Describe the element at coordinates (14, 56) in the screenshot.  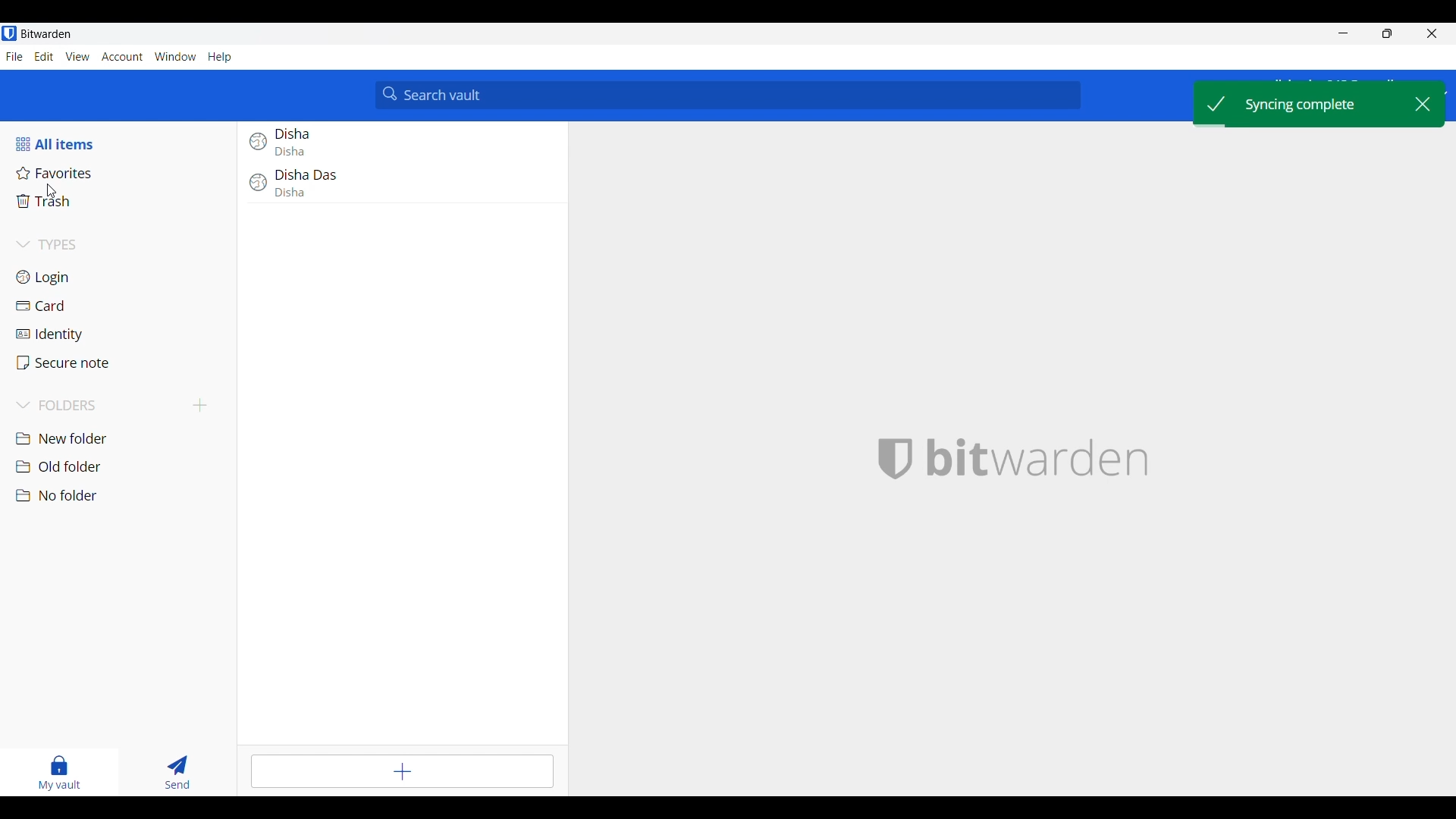
I see `File menu` at that location.